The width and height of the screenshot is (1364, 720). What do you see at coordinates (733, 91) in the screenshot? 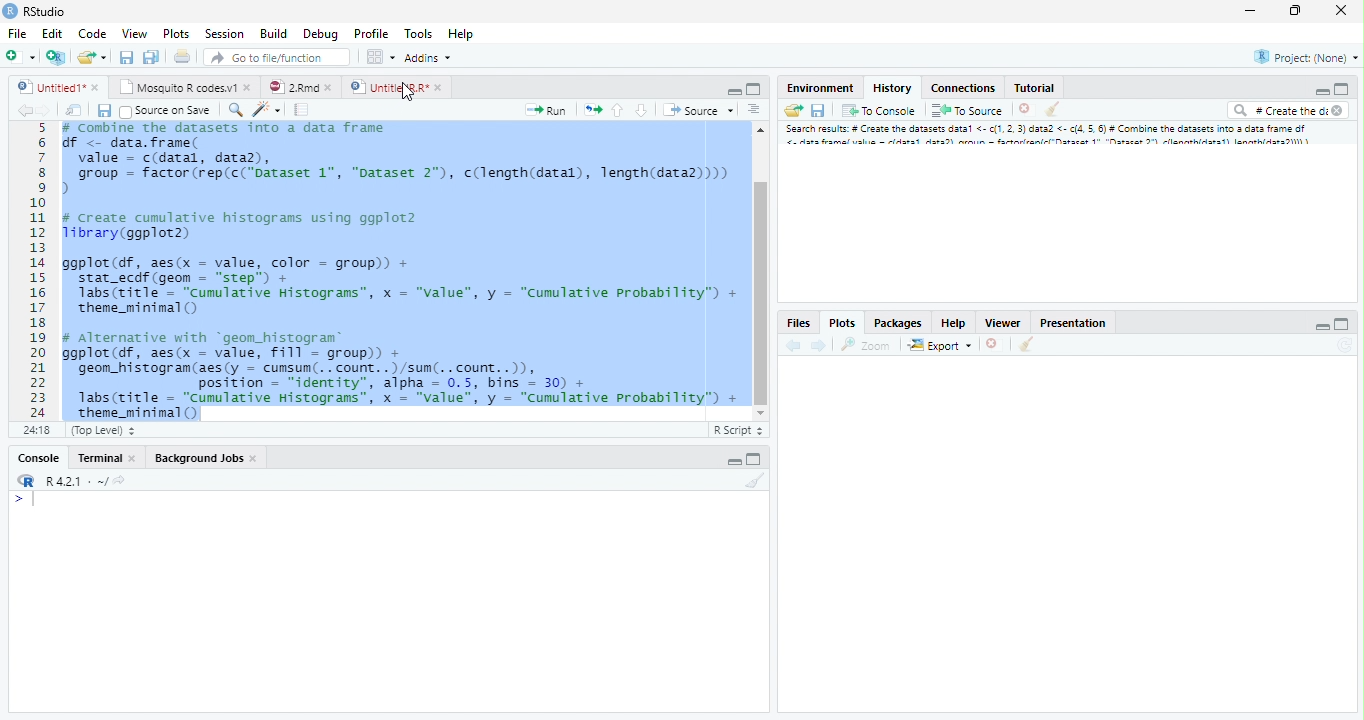
I see `Minimize` at bounding box center [733, 91].